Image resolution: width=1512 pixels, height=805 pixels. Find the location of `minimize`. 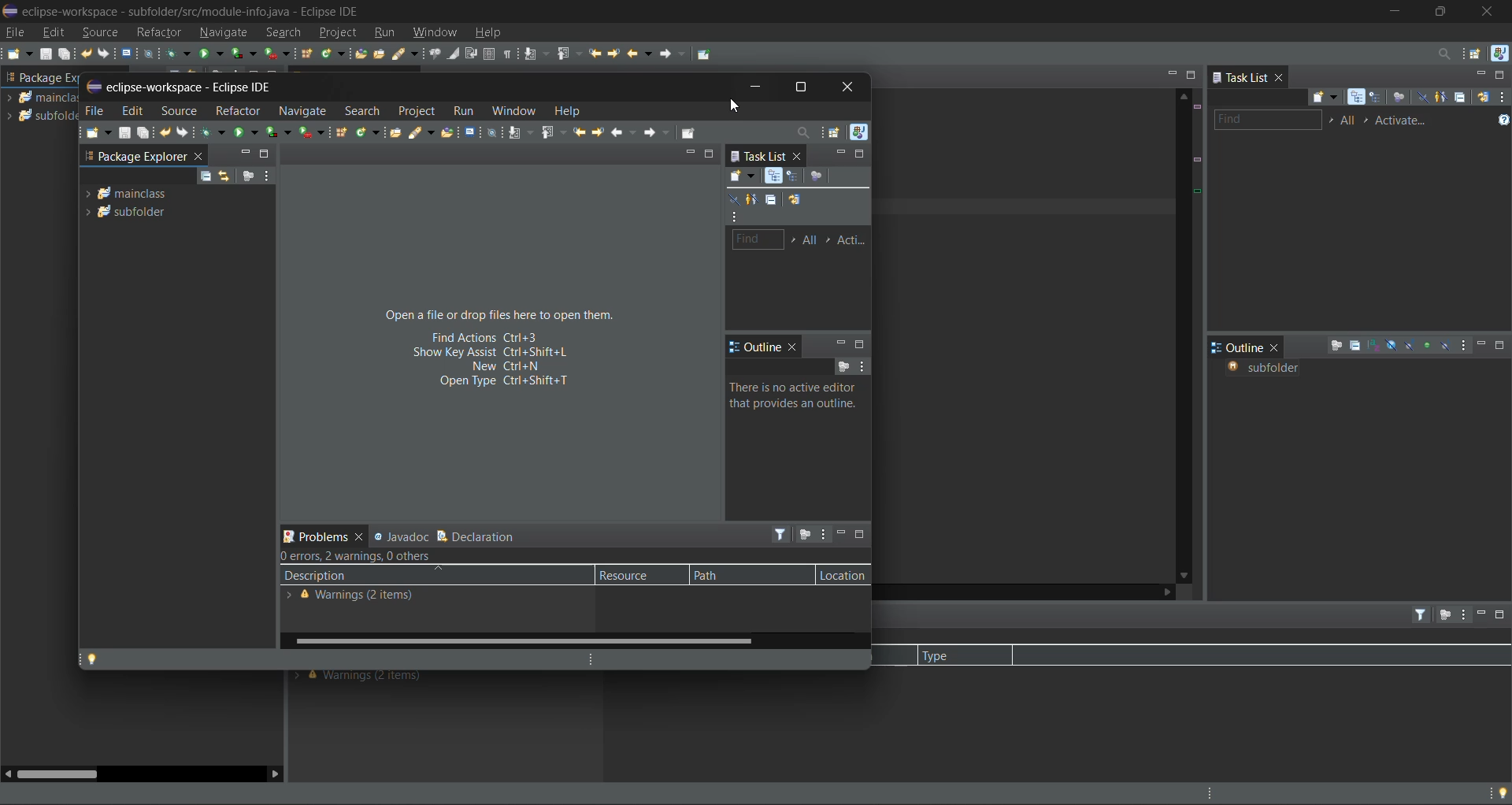

minimize is located at coordinates (837, 344).